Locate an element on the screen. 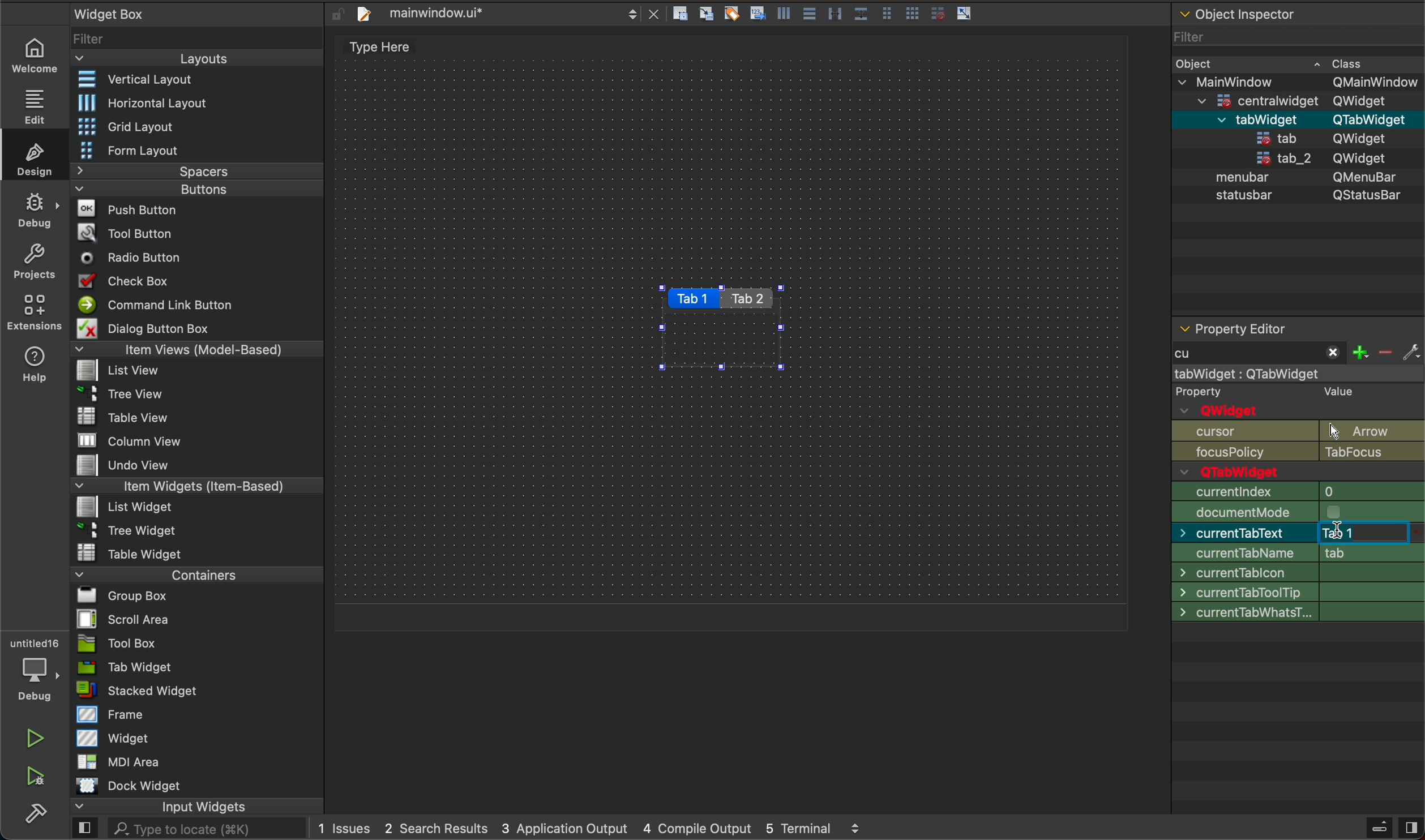   MDI Area is located at coordinates (128, 761).